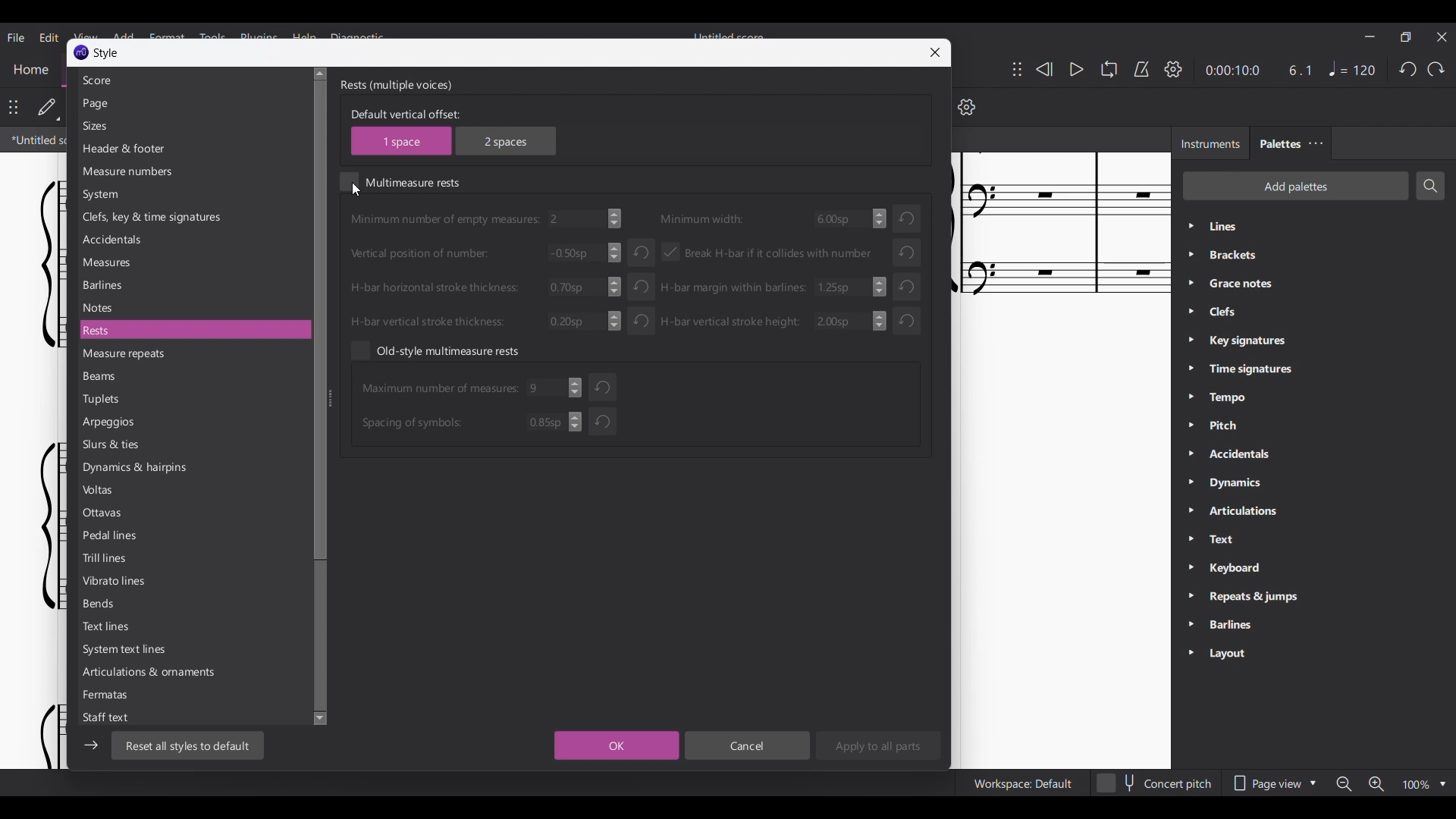 This screenshot has height=819, width=1456. What do you see at coordinates (1257, 70) in the screenshot?
I see `Current duration and ratio` at bounding box center [1257, 70].